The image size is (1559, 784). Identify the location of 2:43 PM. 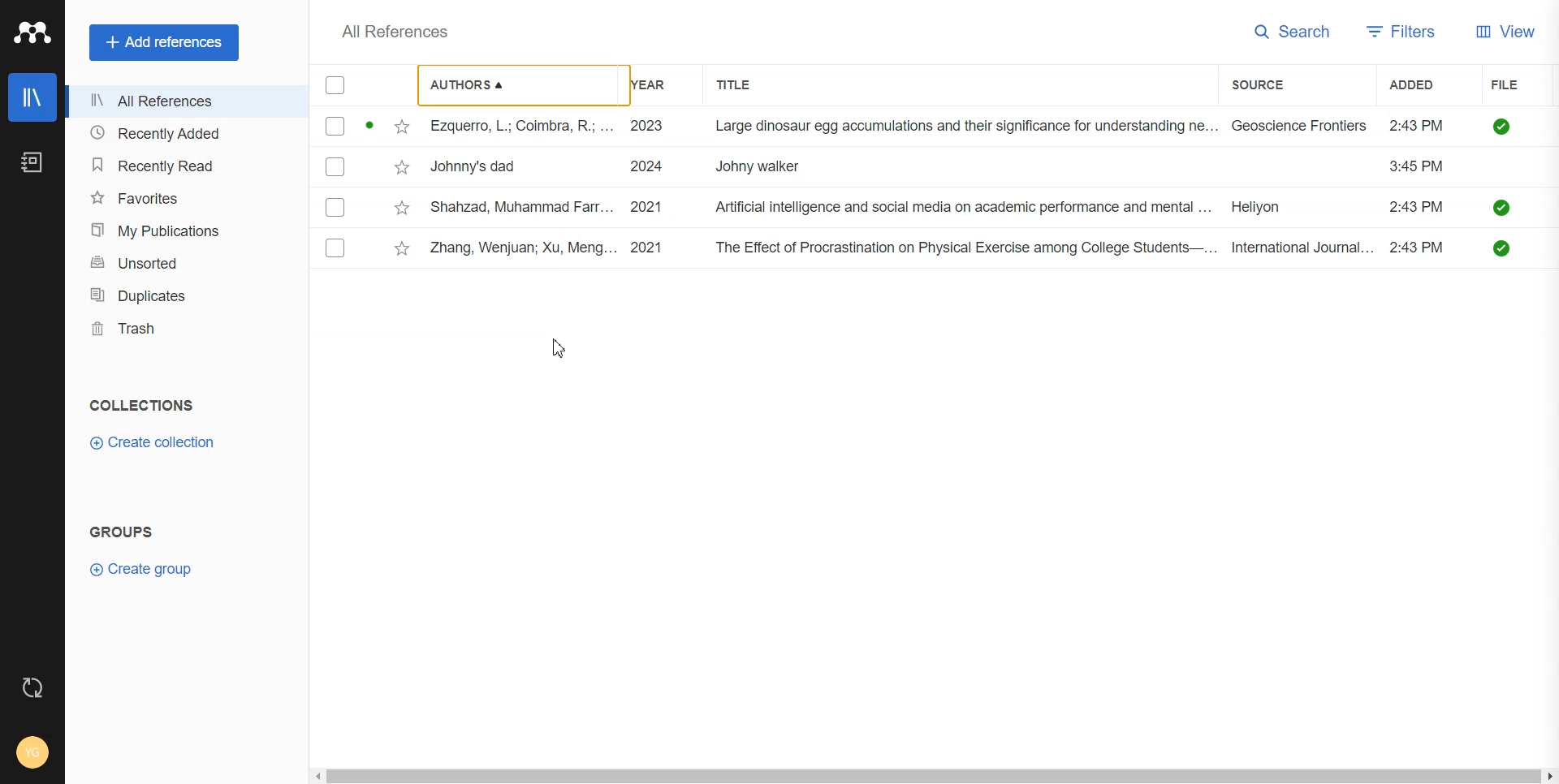
(1419, 248).